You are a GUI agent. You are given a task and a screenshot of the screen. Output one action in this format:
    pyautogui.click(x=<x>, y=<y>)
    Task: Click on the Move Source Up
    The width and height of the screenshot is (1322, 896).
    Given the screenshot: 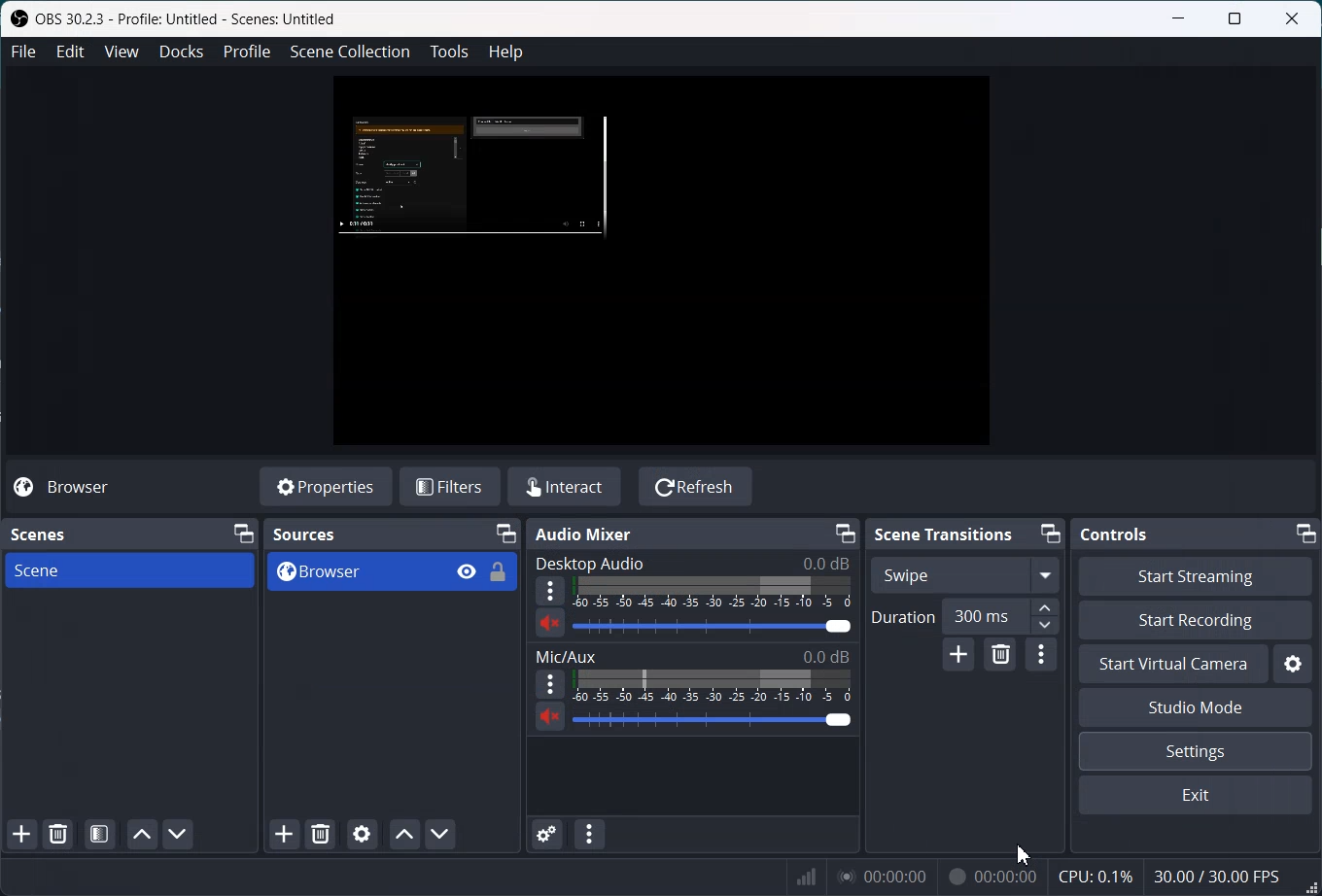 What is the action you would take?
    pyautogui.click(x=405, y=834)
    